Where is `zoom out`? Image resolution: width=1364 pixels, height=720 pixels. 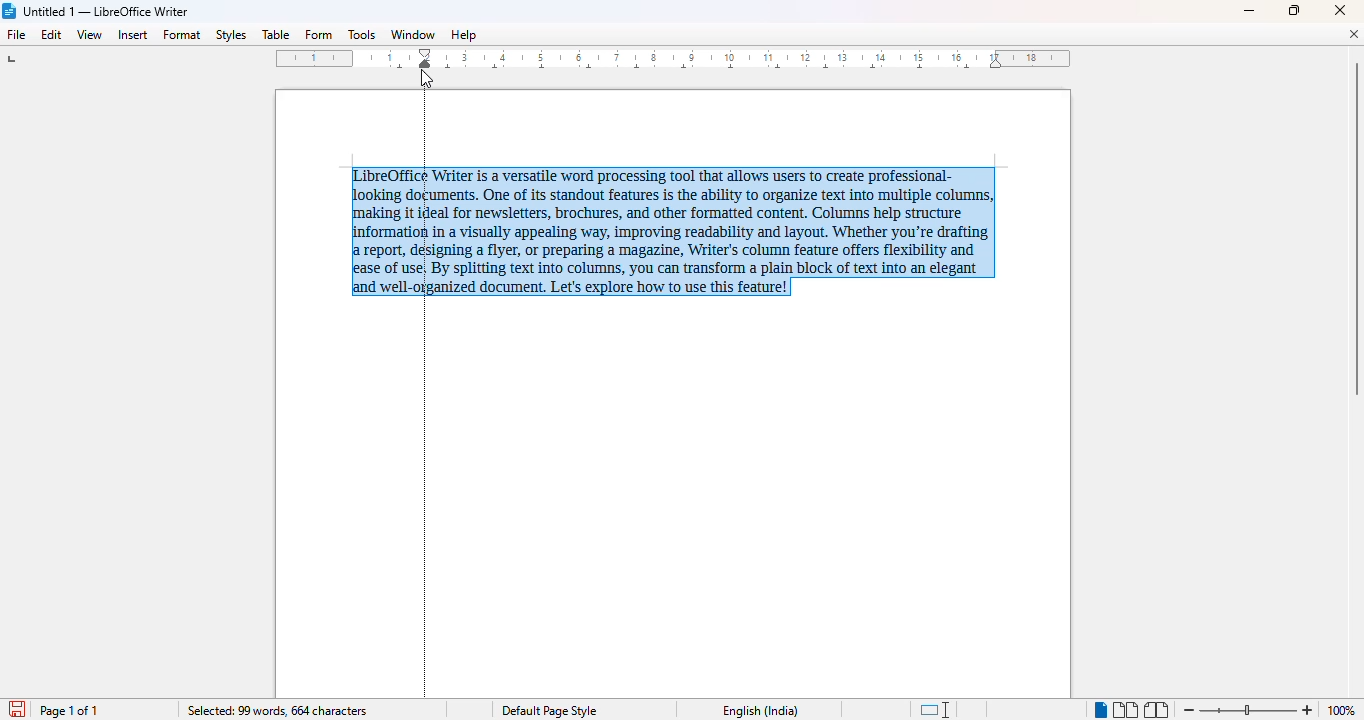 zoom out is located at coordinates (1190, 710).